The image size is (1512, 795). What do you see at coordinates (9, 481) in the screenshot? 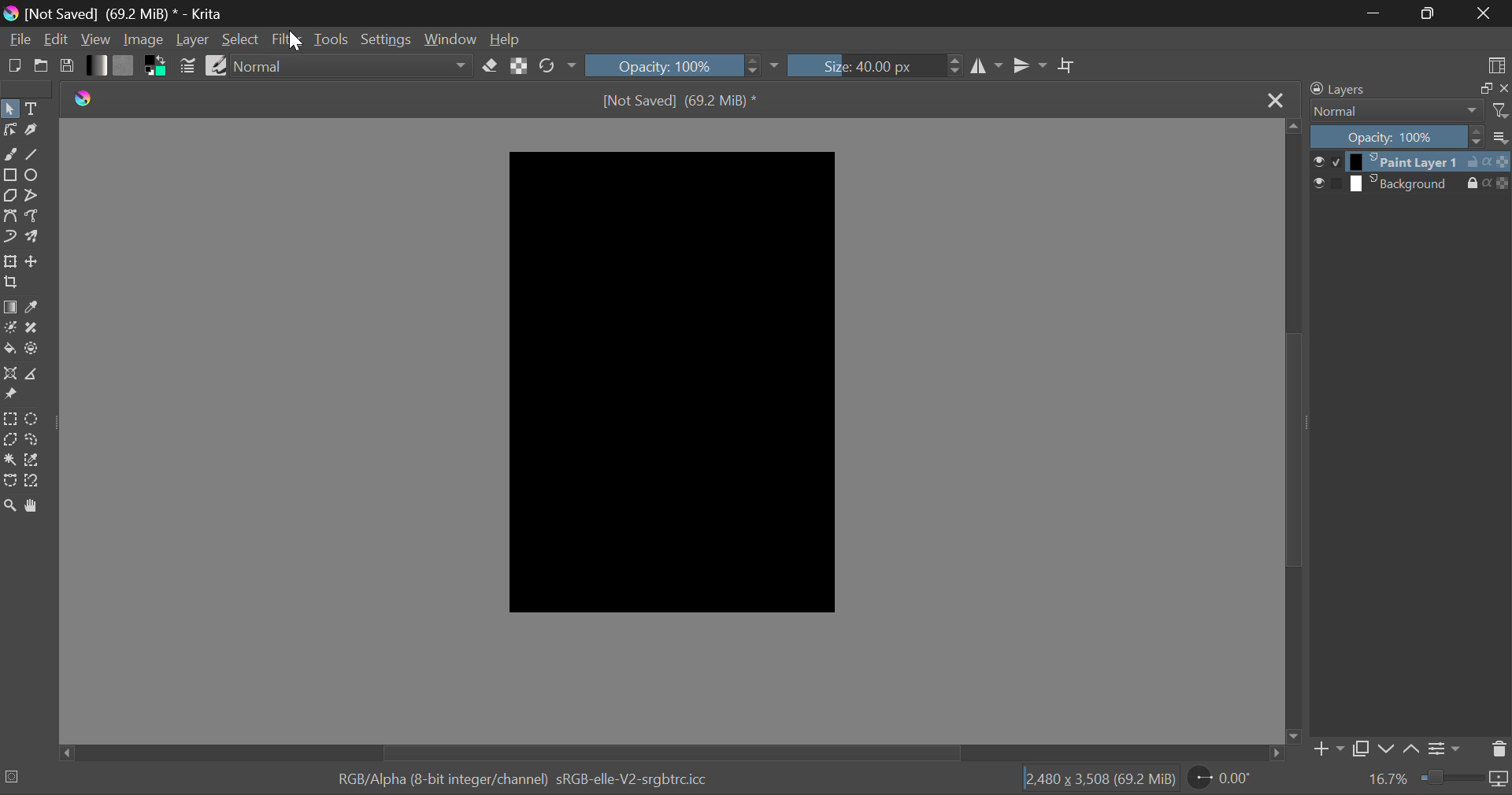
I see `Bezier Curve` at bounding box center [9, 481].